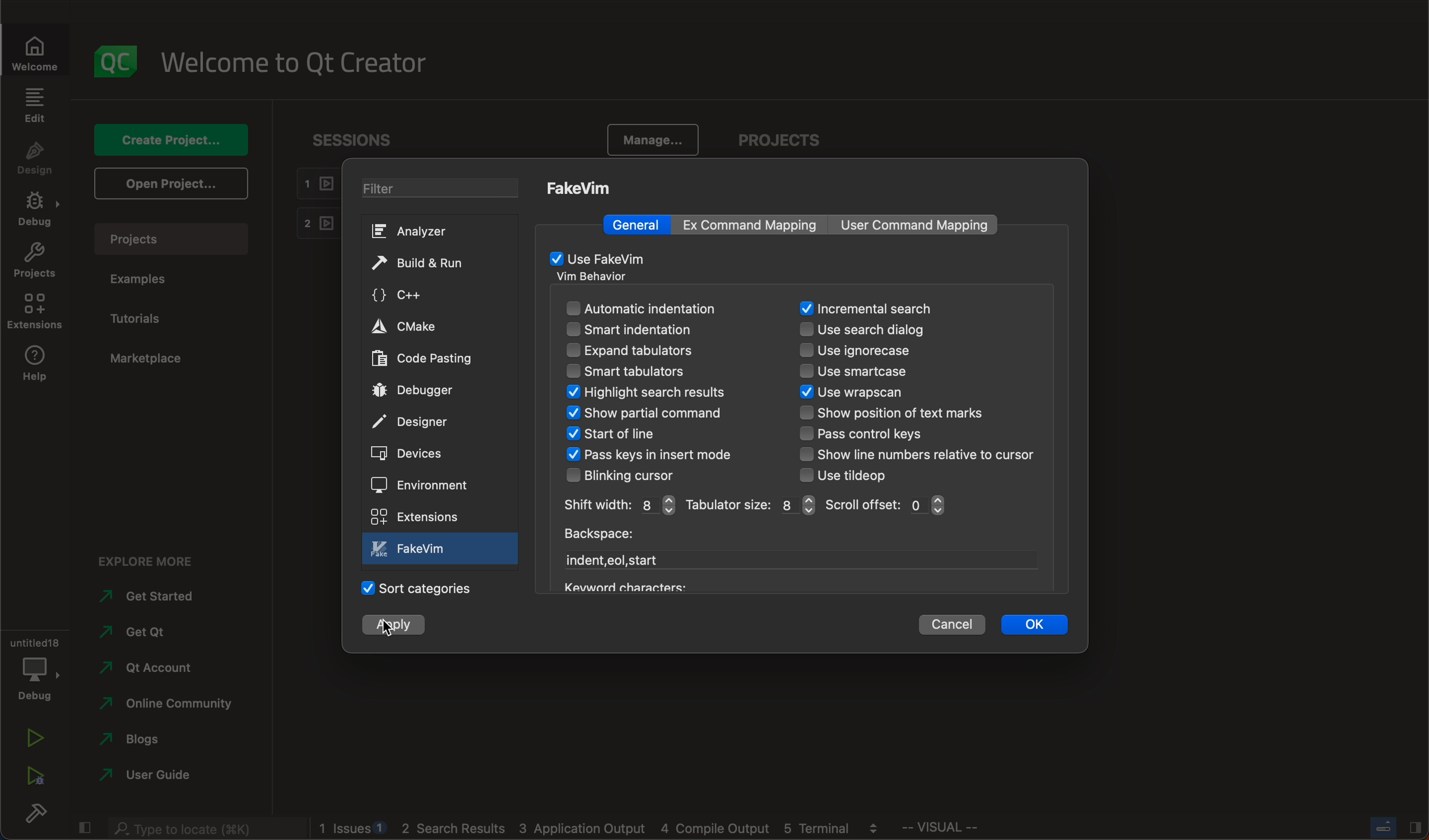  I want to click on mapping, so click(758, 224).